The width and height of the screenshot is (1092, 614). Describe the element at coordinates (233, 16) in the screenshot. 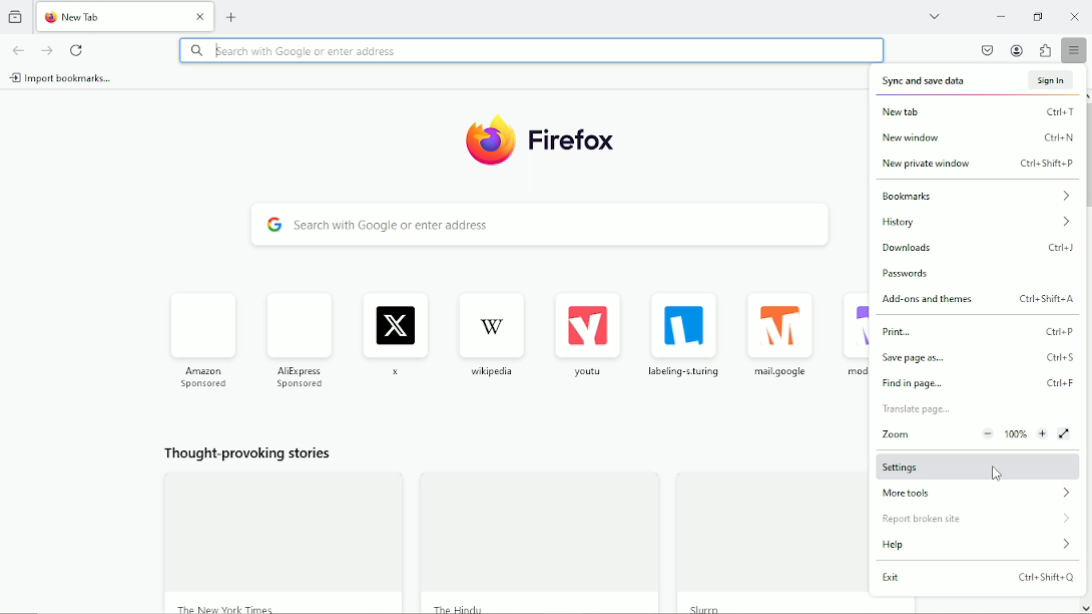

I see `New tab` at that location.